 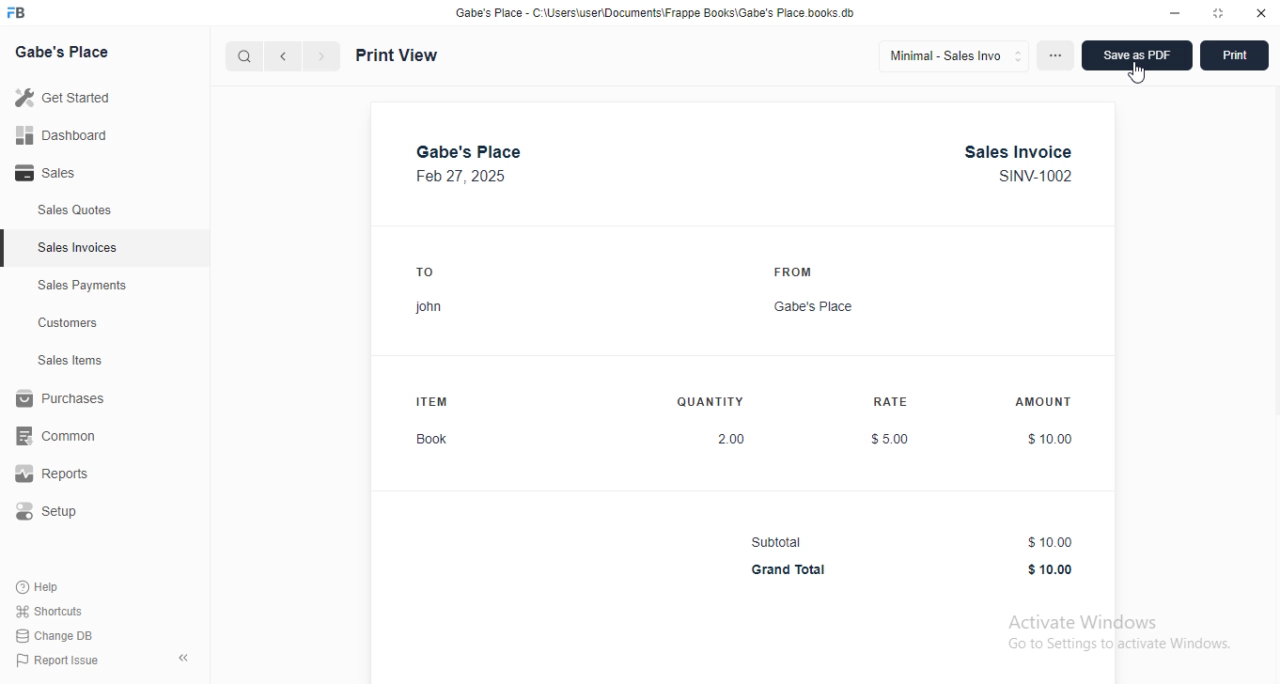 I want to click on gabe's place, so click(x=468, y=152).